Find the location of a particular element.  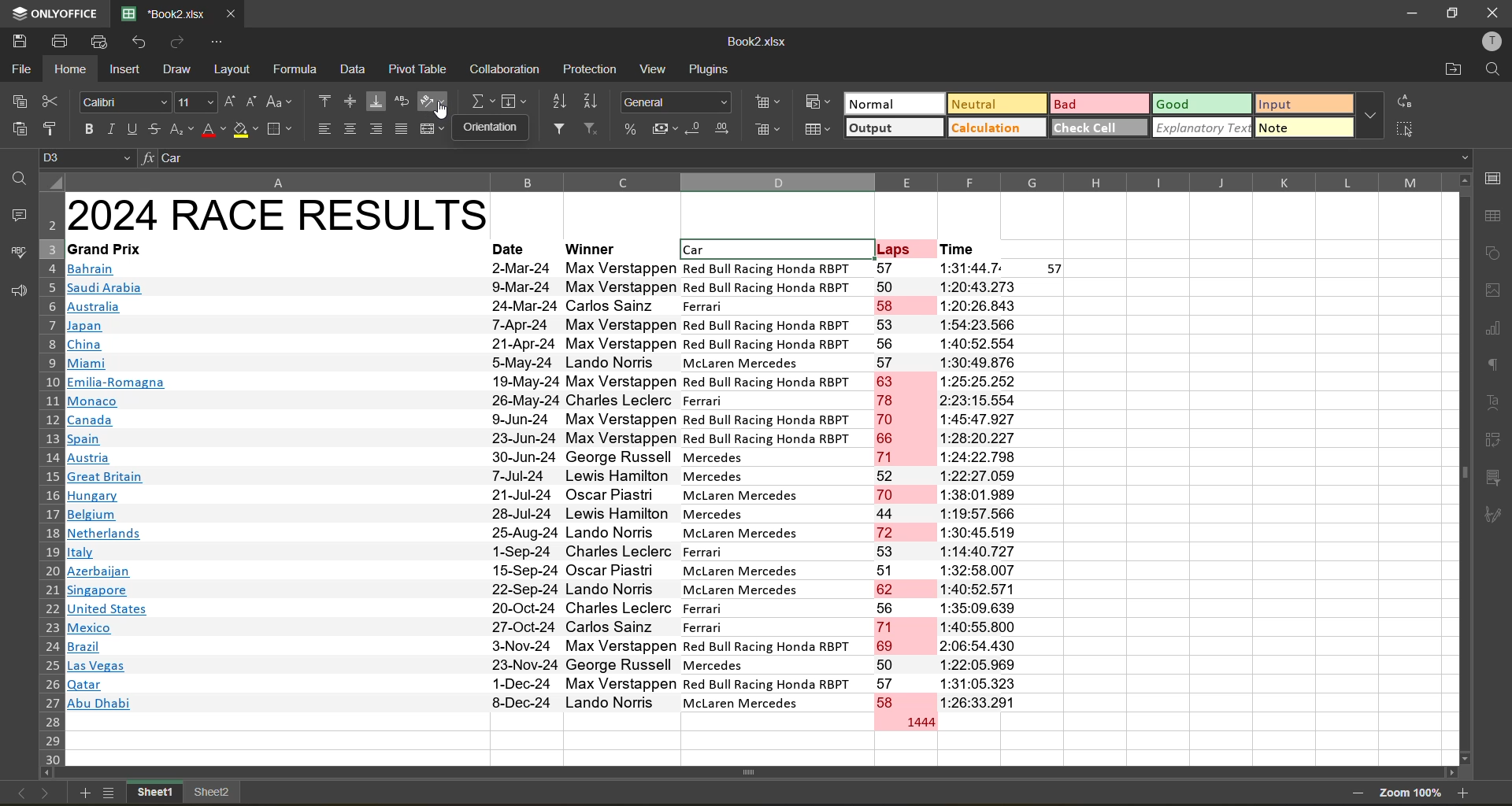

print is located at coordinates (56, 42).